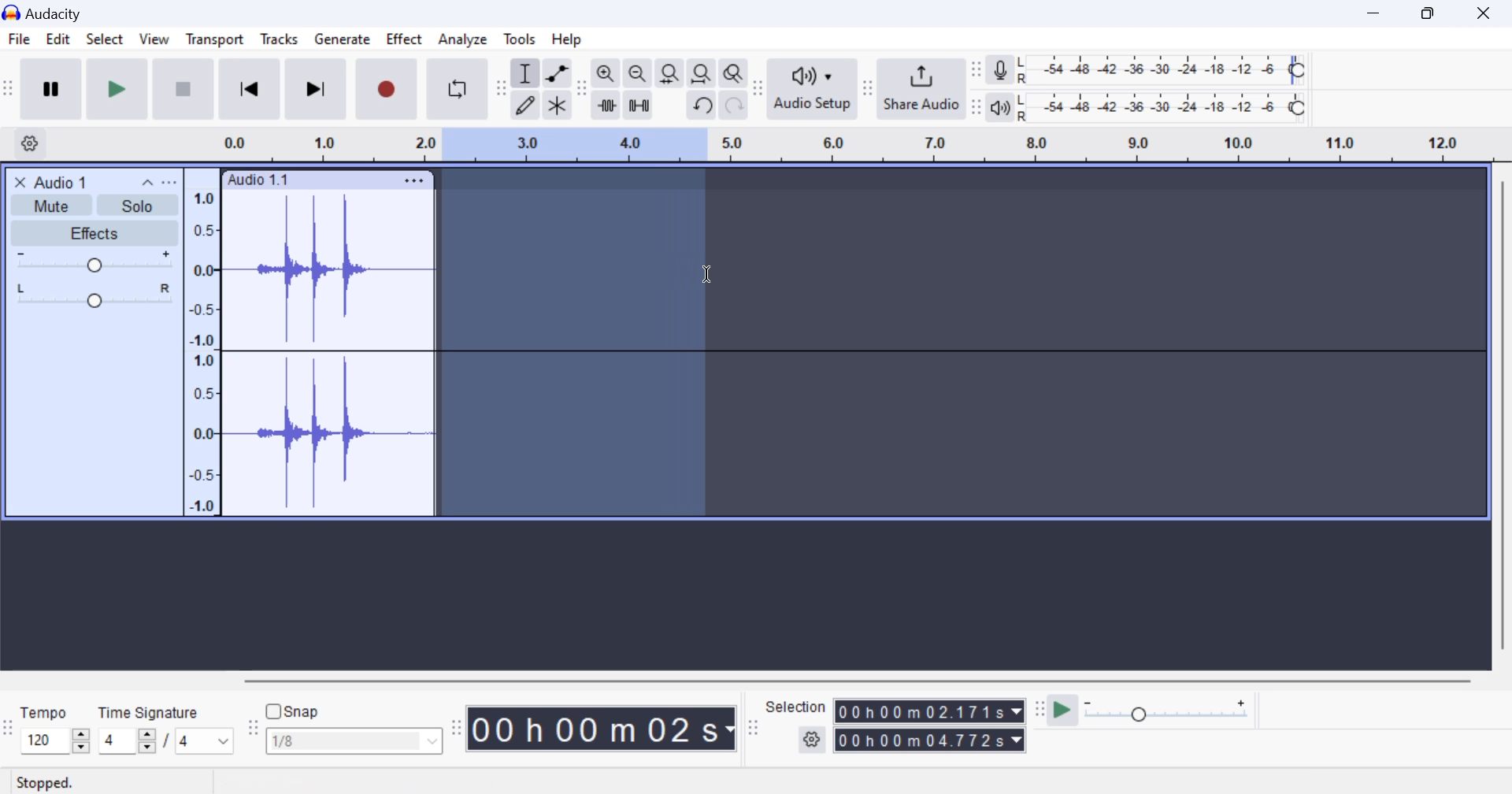 The image size is (1512, 794). What do you see at coordinates (50, 89) in the screenshot?
I see `Pause` at bounding box center [50, 89].